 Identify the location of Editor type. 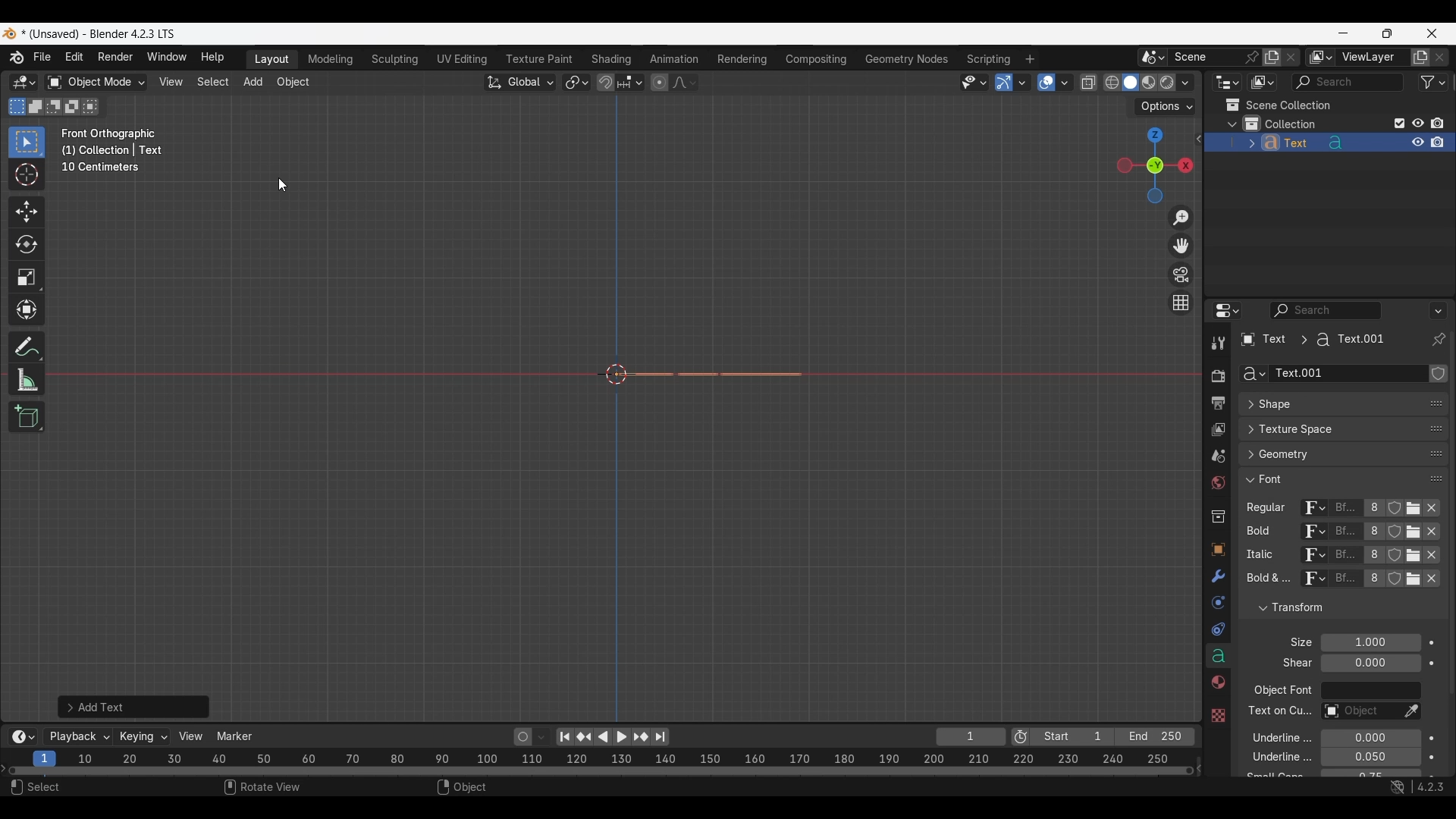
(1227, 82).